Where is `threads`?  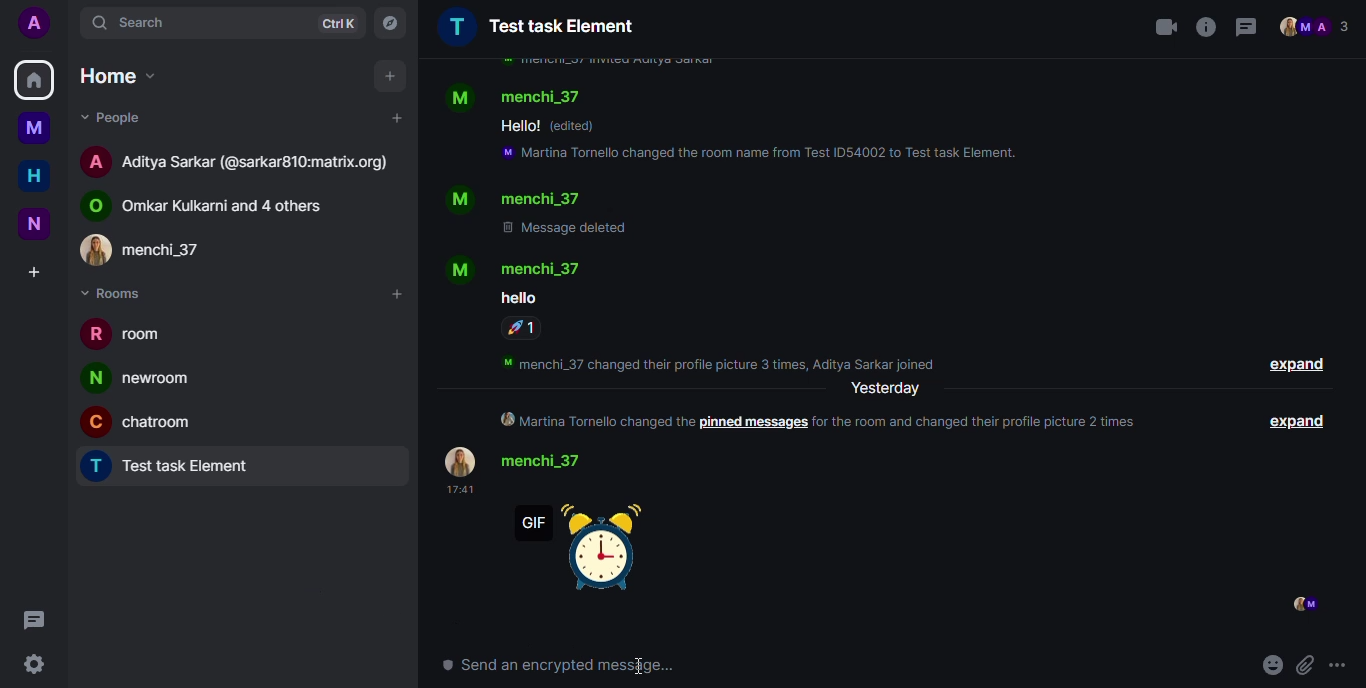
threads is located at coordinates (32, 616).